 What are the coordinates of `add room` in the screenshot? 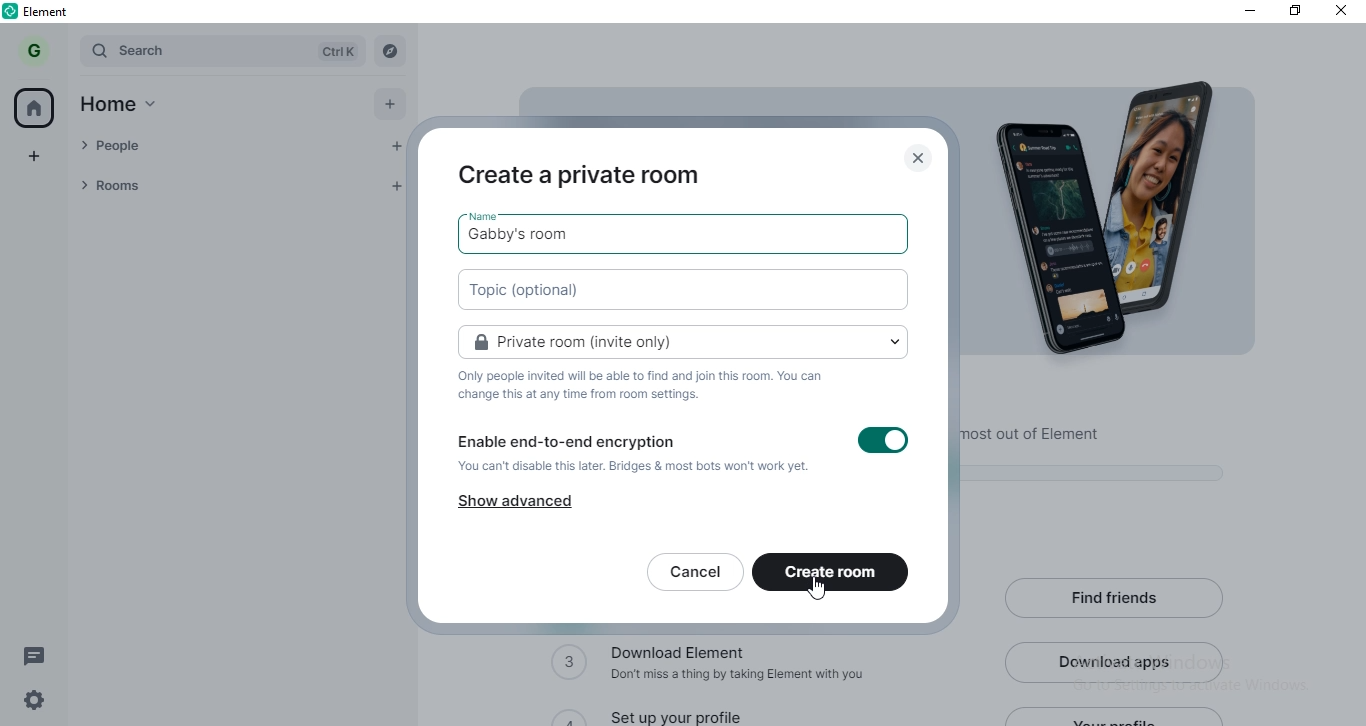 It's located at (402, 188).